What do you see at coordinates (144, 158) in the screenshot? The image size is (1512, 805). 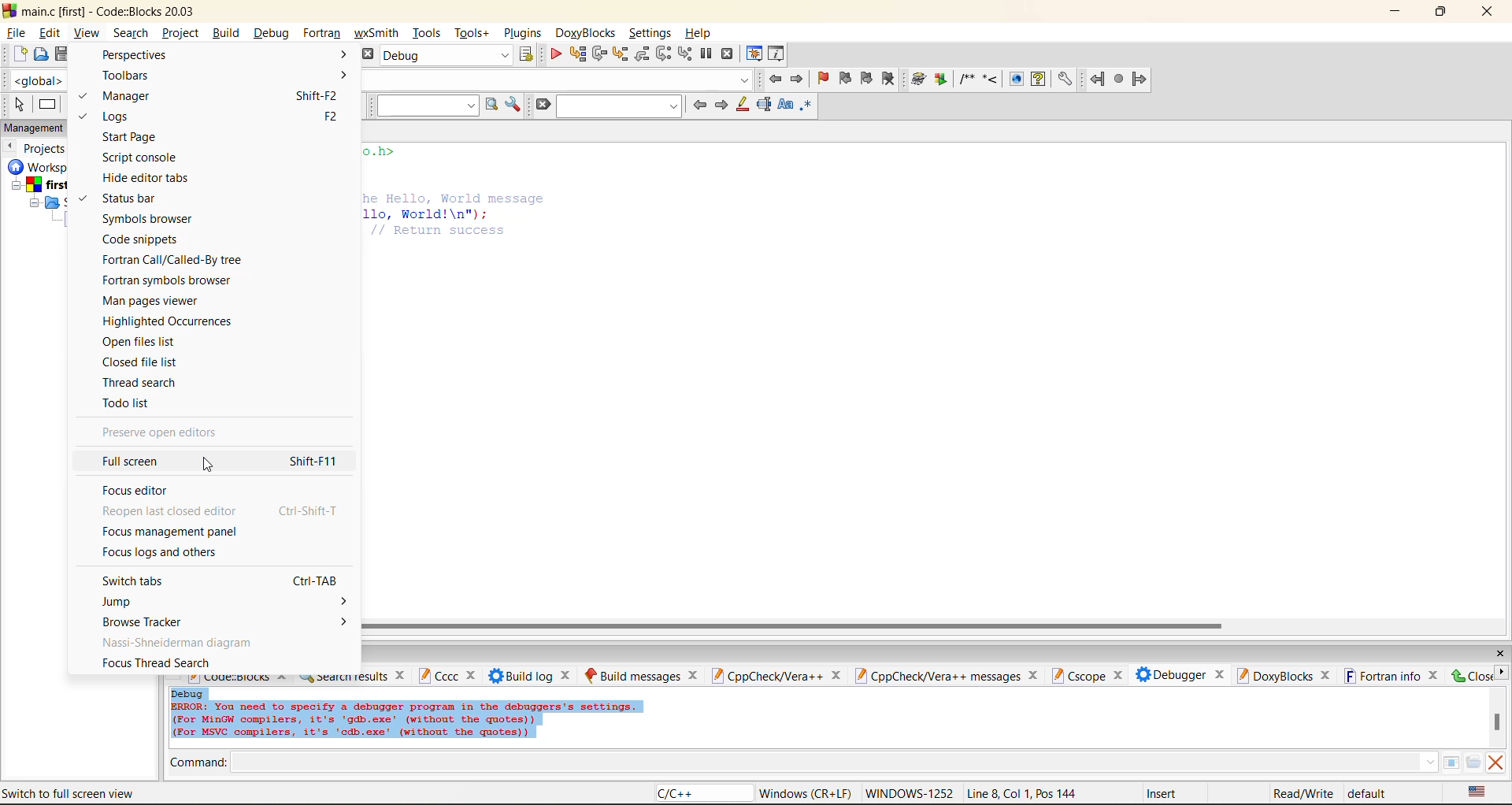 I see `script console` at bounding box center [144, 158].